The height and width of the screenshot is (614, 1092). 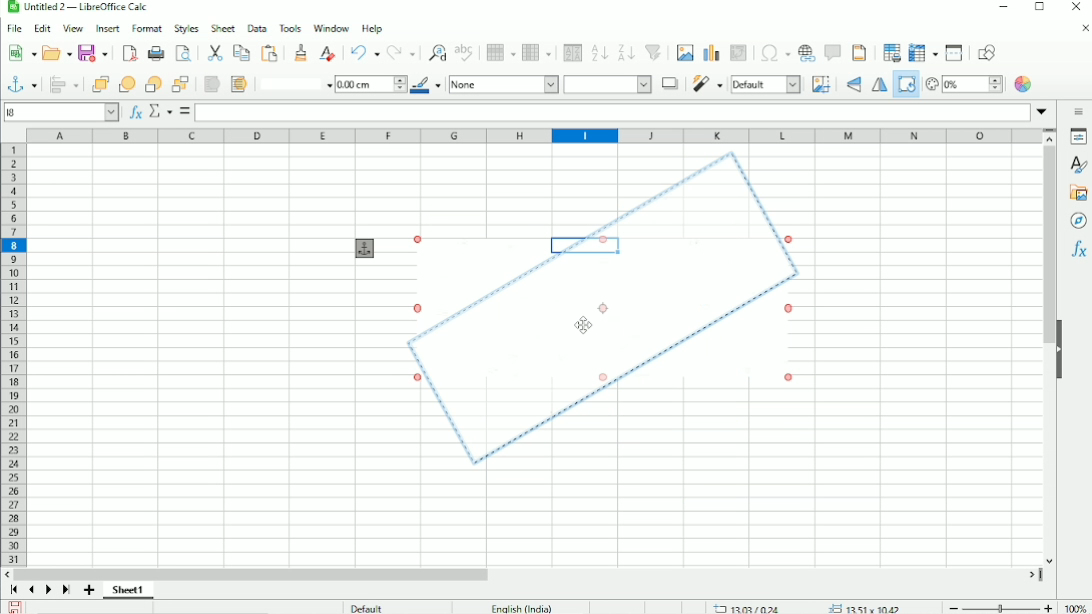 I want to click on Open, so click(x=57, y=53).